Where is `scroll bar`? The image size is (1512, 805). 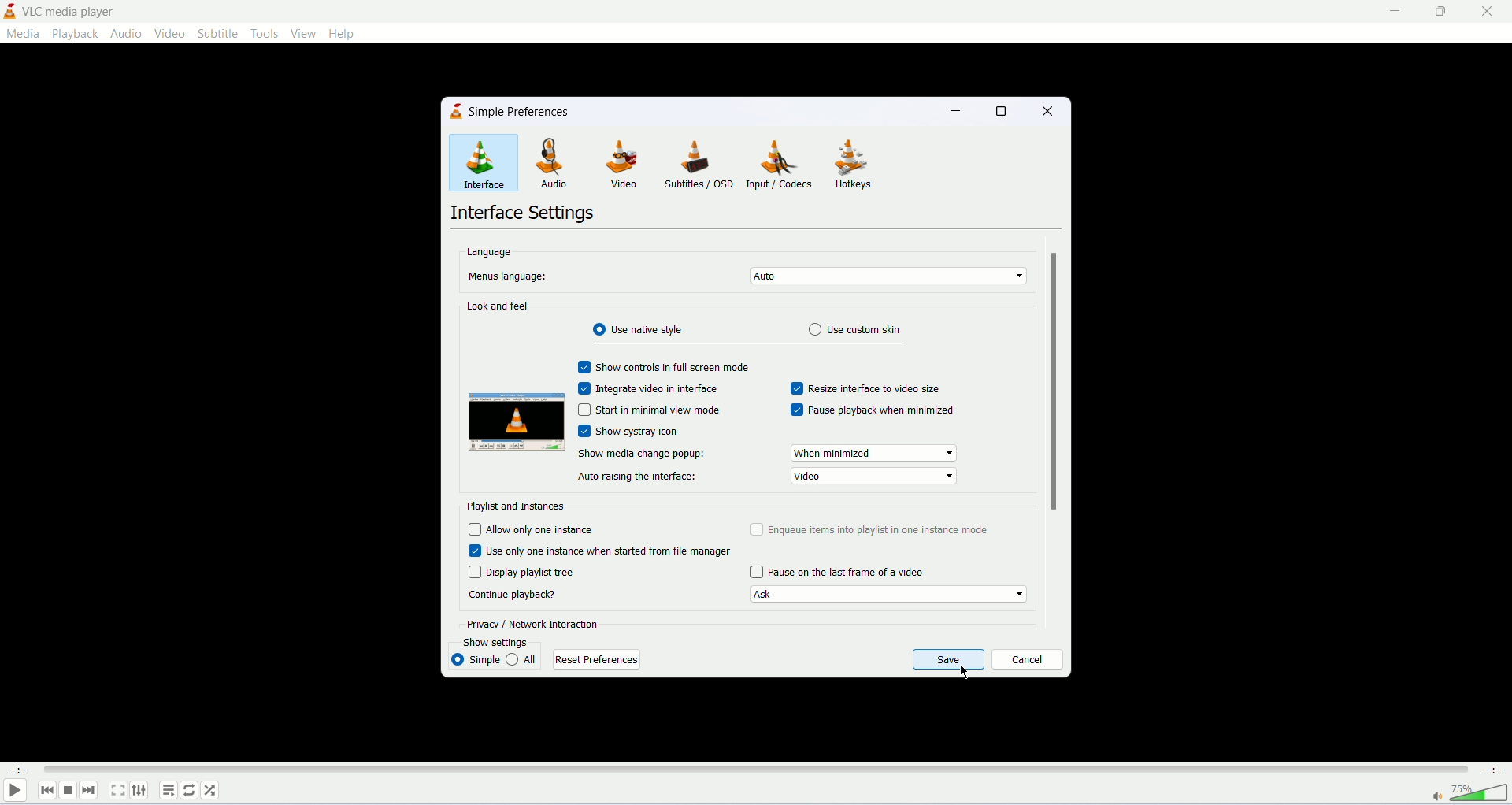
scroll bar is located at coordinates (1053, 431).